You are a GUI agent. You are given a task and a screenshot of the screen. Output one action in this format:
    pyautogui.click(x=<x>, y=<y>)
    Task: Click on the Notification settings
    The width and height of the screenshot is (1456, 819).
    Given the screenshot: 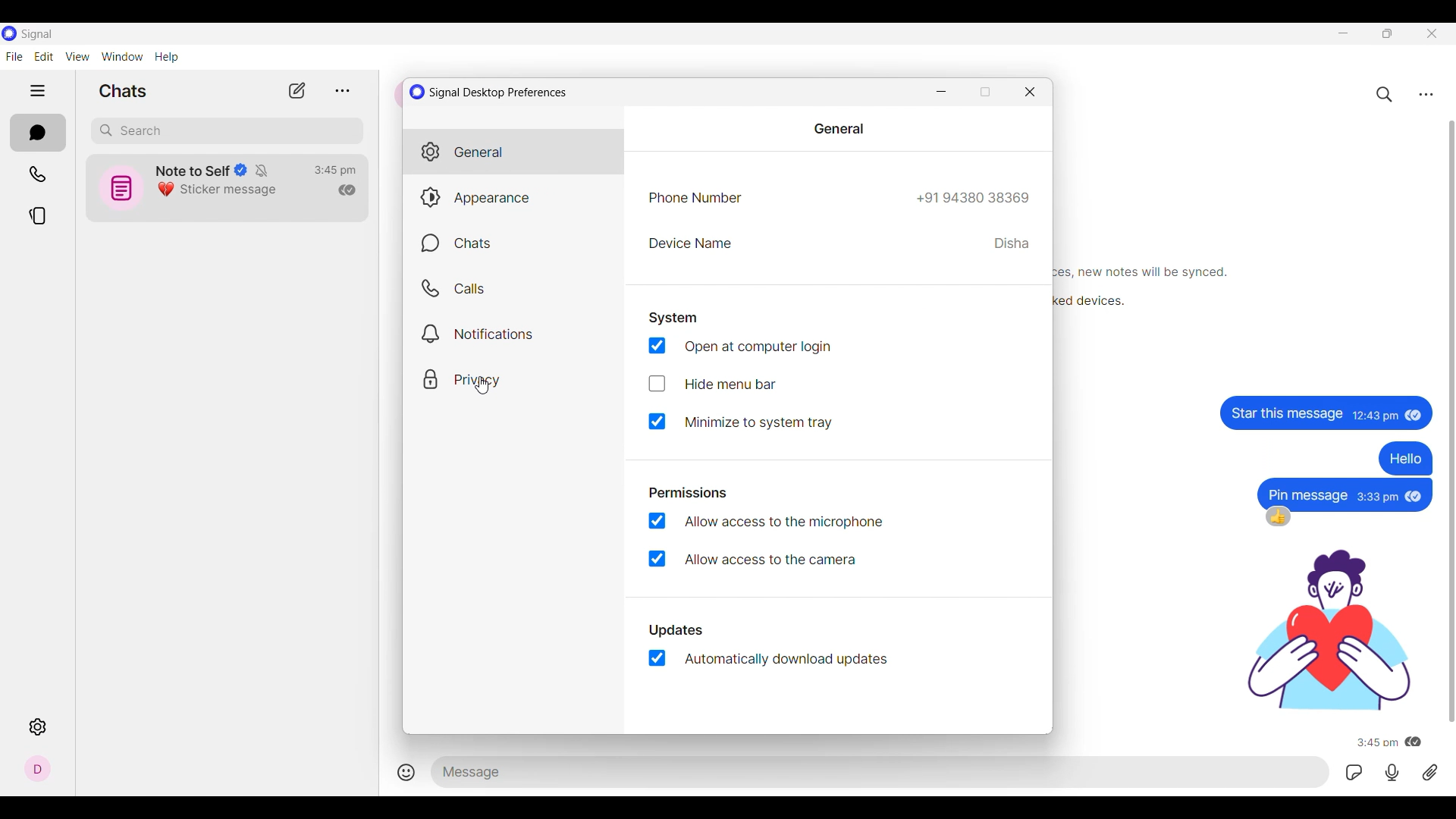 What is the action you would take?
    pyautogui.click(x=513, y=333)
    